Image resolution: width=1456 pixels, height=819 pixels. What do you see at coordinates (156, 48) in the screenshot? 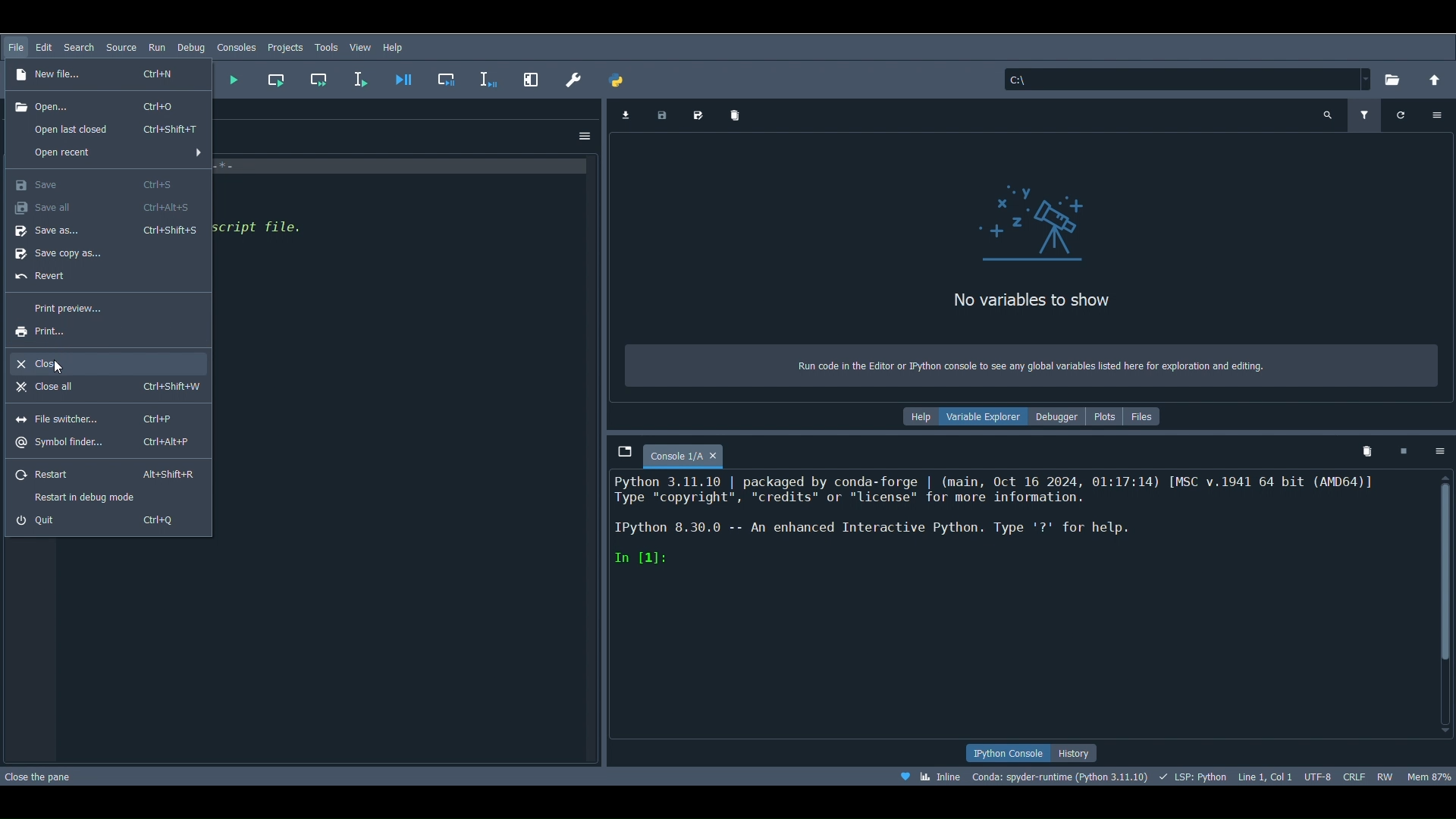
I see `Run` at bounding box center [156, 48].